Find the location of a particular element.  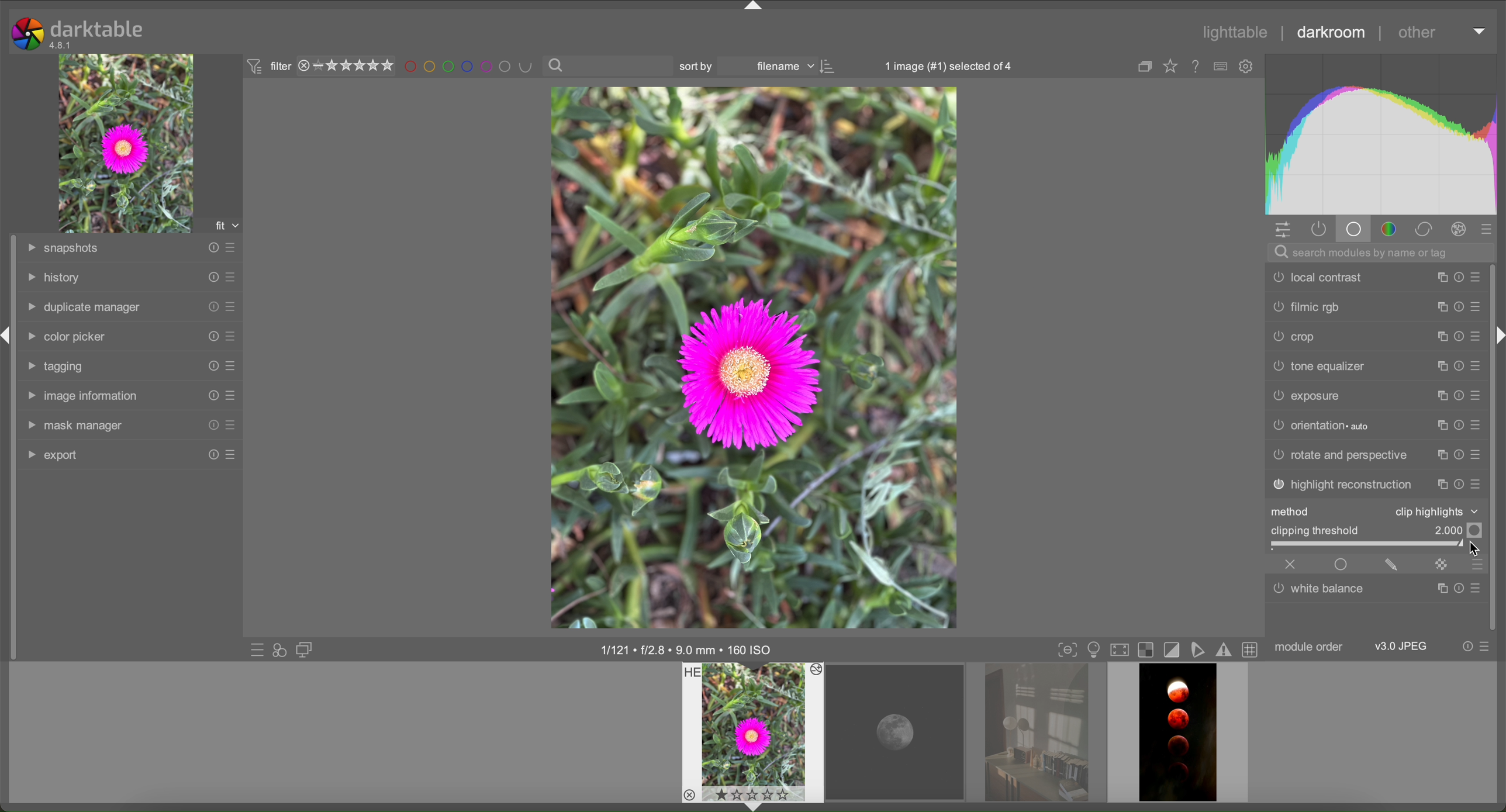

module order is located at coordinates (1310, 647).